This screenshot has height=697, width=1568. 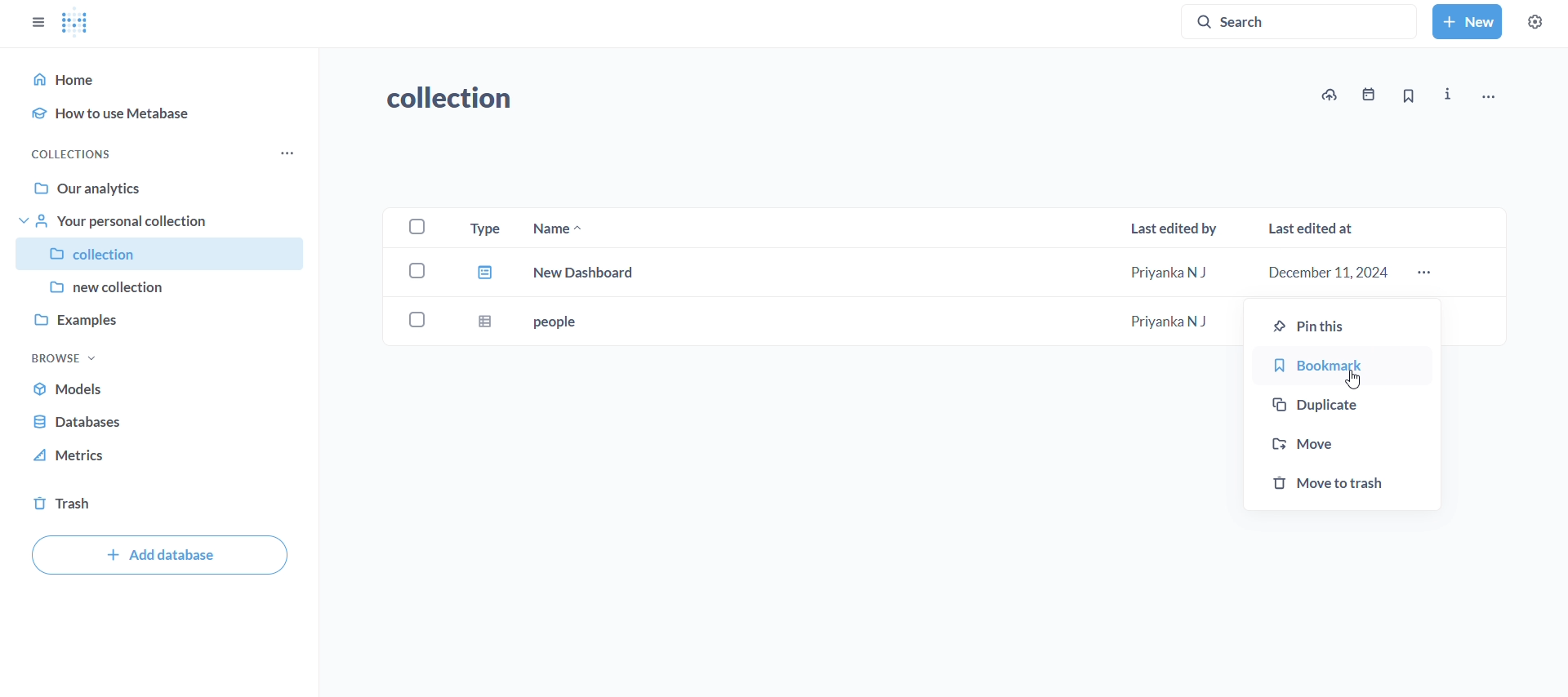 I want to click on bookmark, so click(x=1408, y=96).